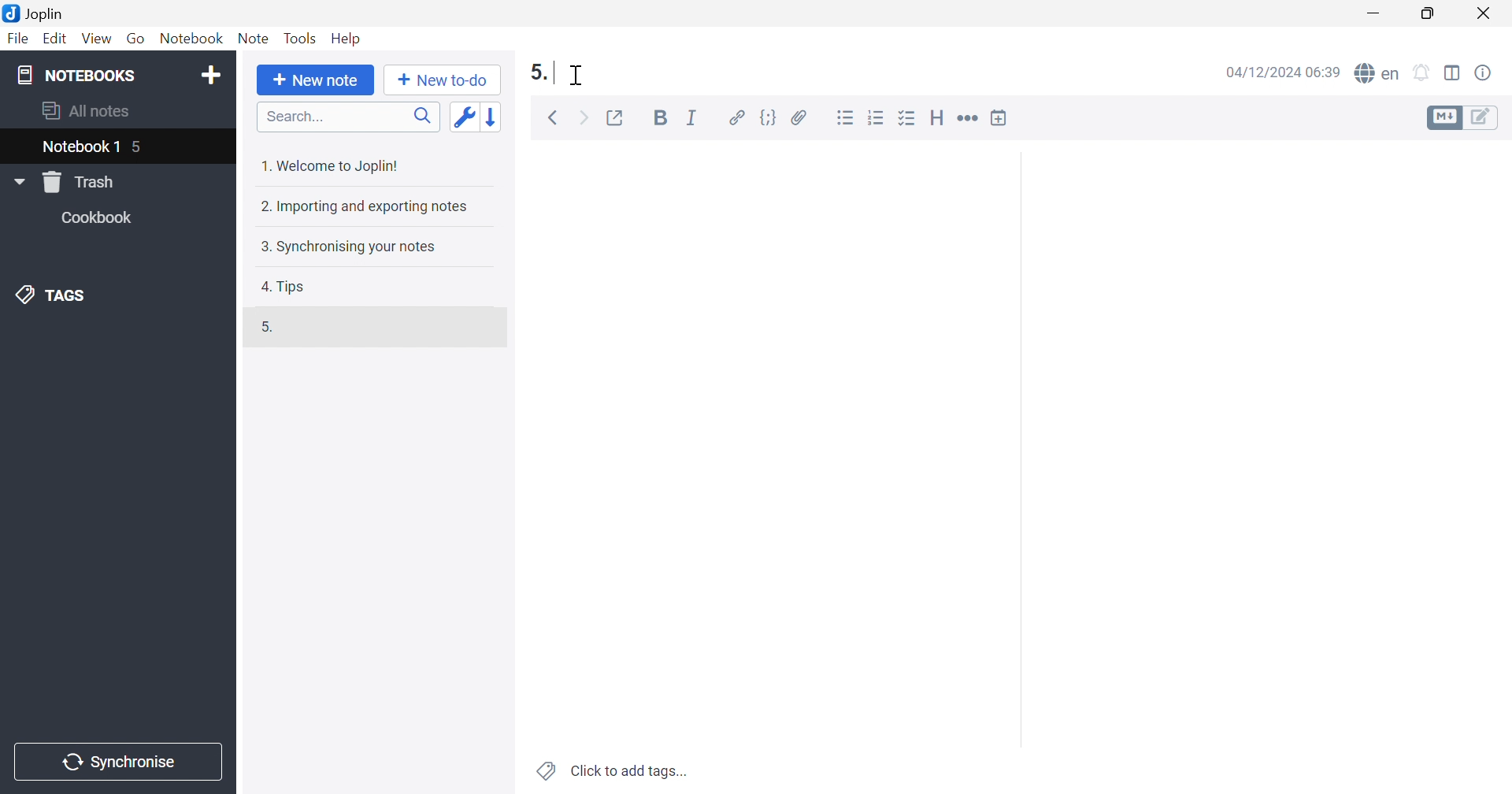 This screenshot has width=1512, height=794. What do you see at coordinates (89, 113) in the screenshot?
I see `All notes` at bounding box center [89, 113].